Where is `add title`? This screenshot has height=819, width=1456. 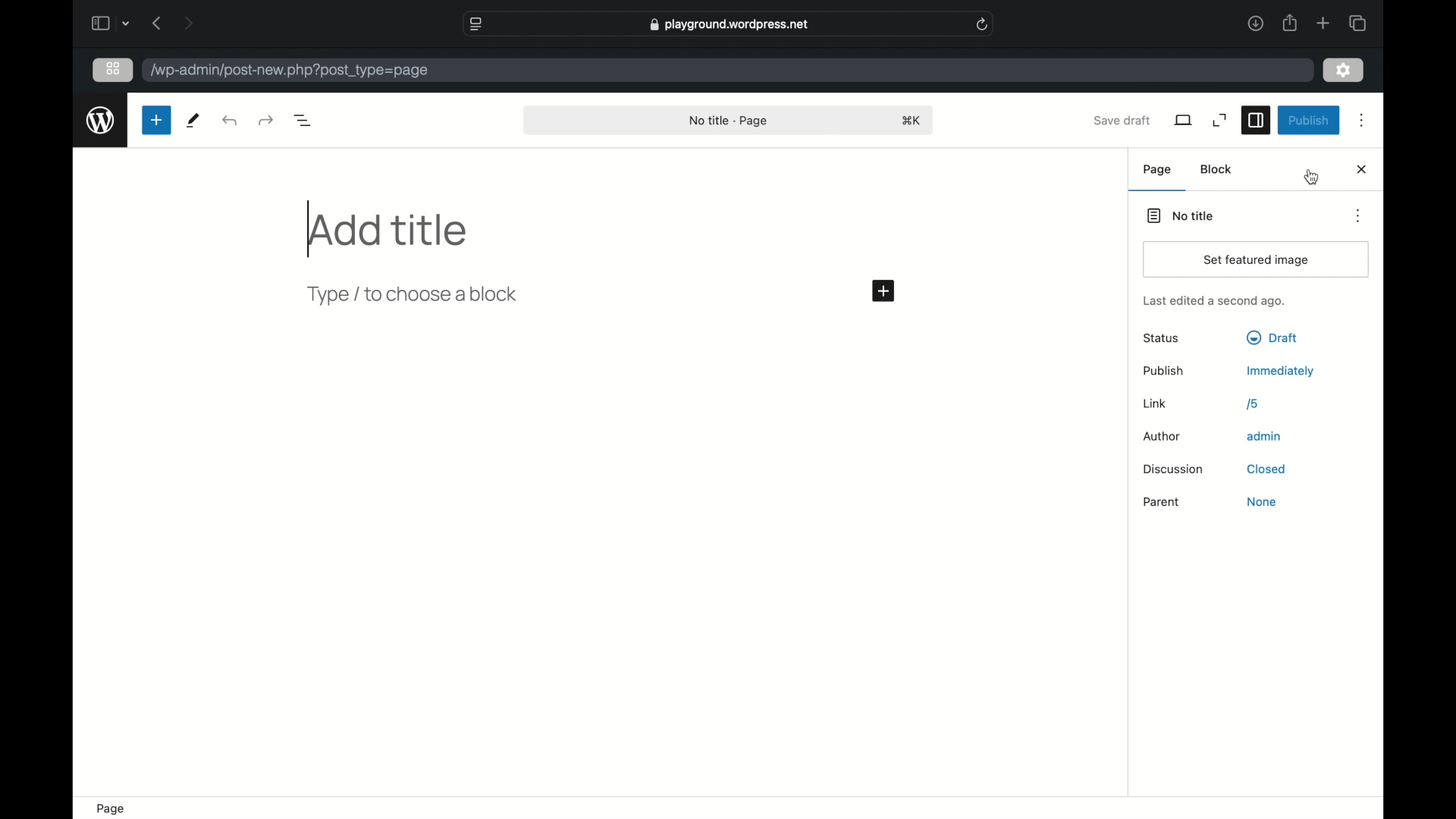 add title is located at coordinates (387, 231).